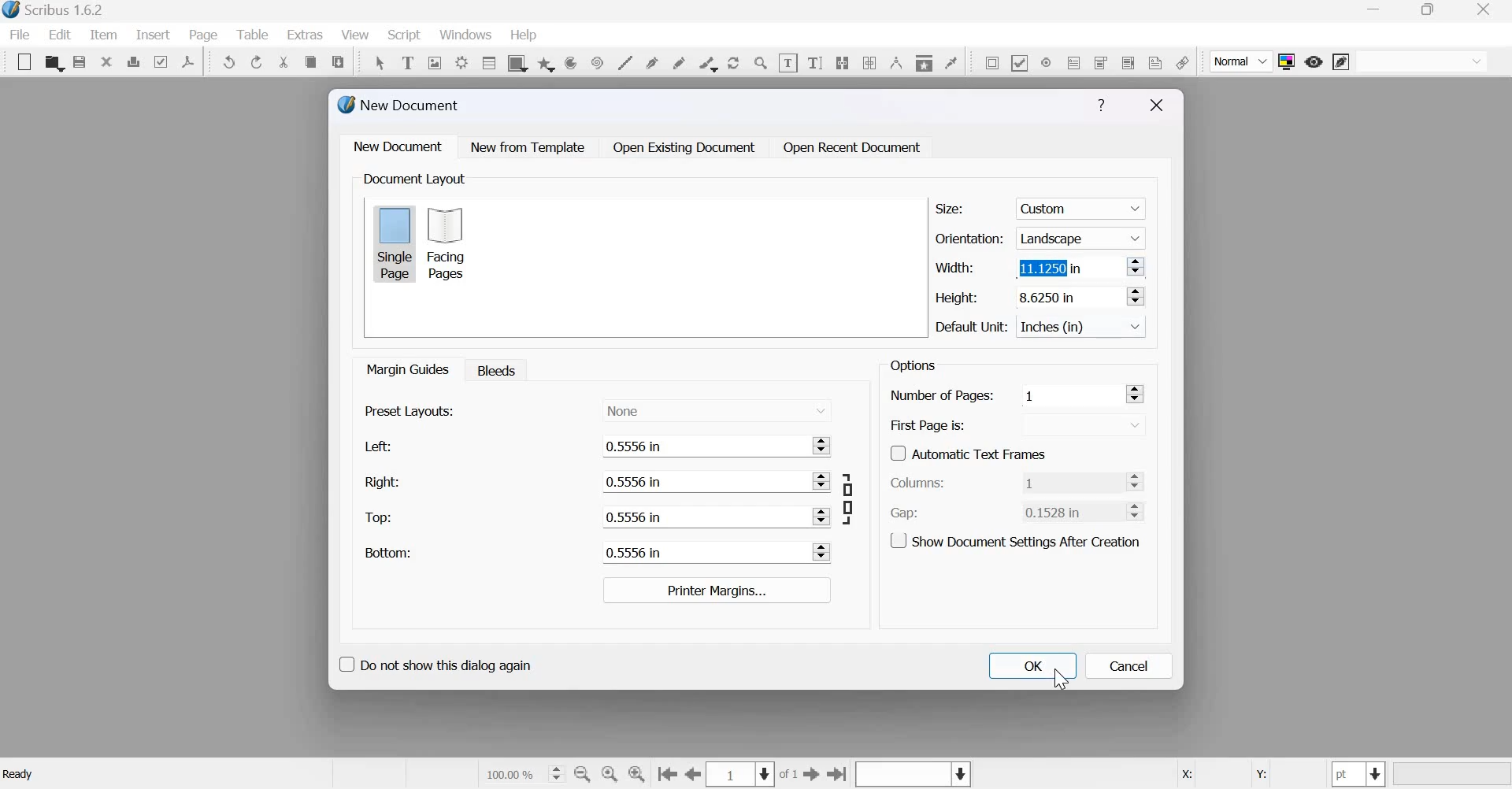  What do you see at coordinates (838, 773) in the screenshot?
I see `Go to the last page` at bounding box center [838, 773].